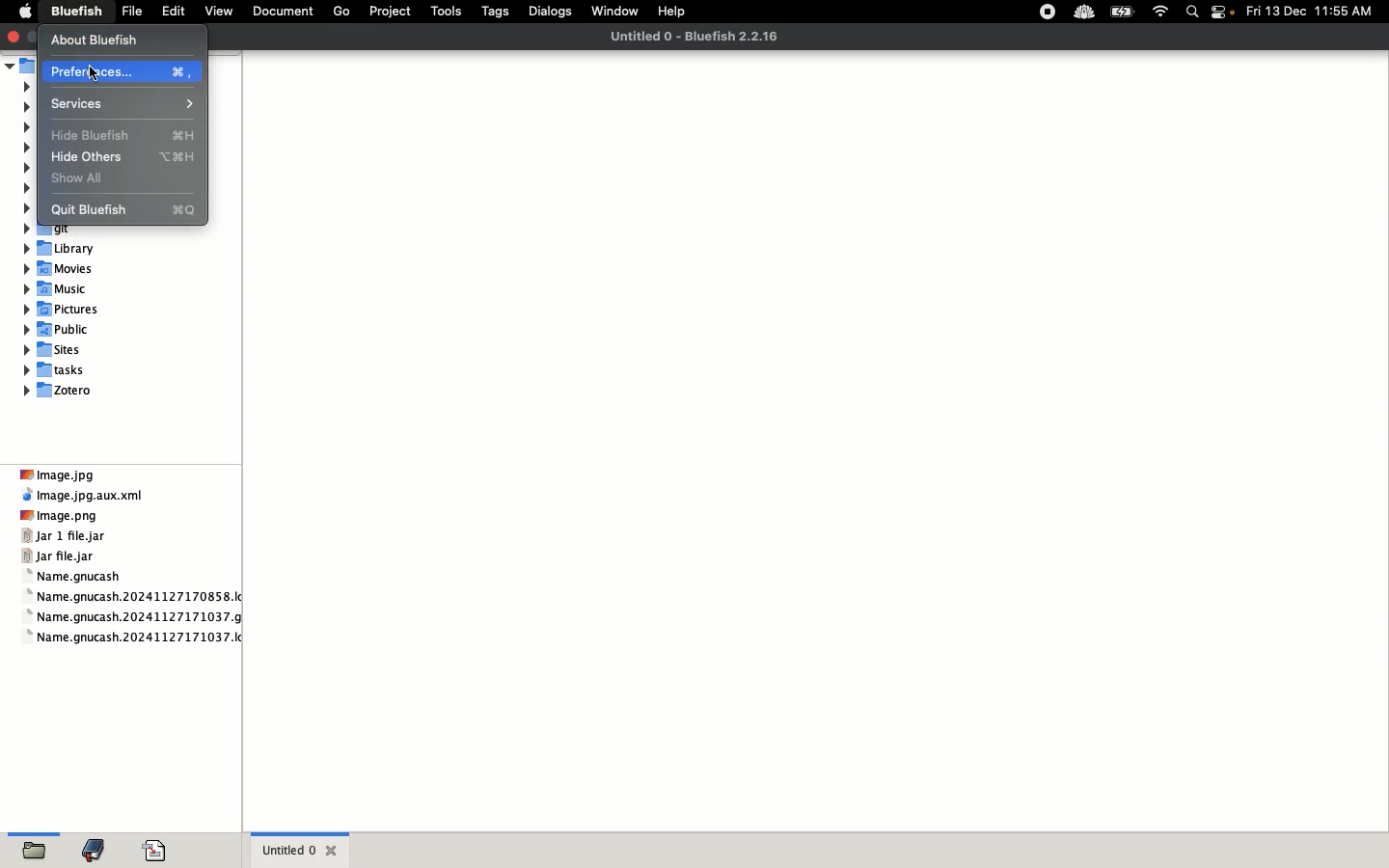  What do you see at coordinates (387, 14) in the screenshot?
I see `project` at bounding box center [387, 14].